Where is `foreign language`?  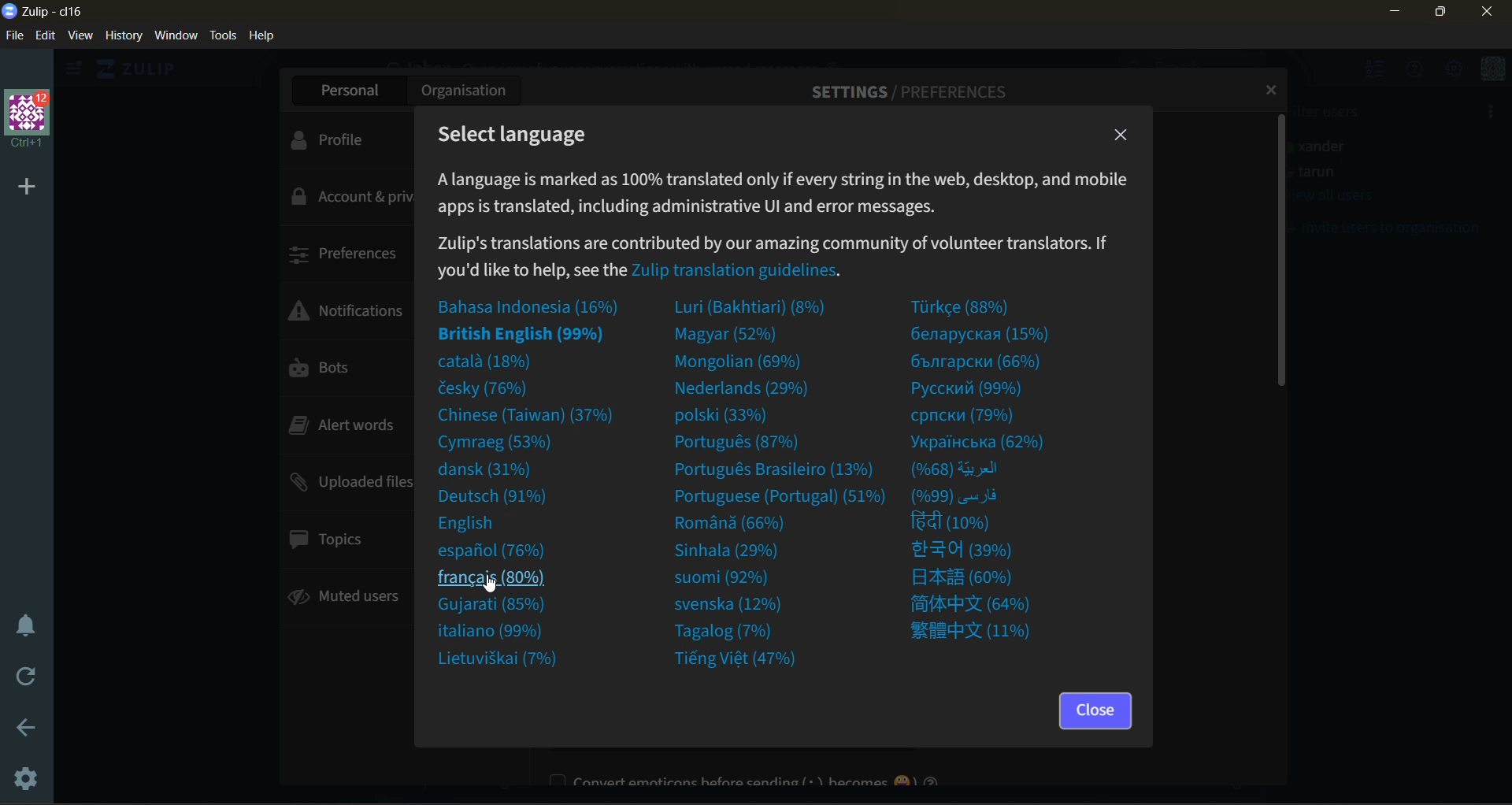
foreign language is located at coordinates (971, 469).